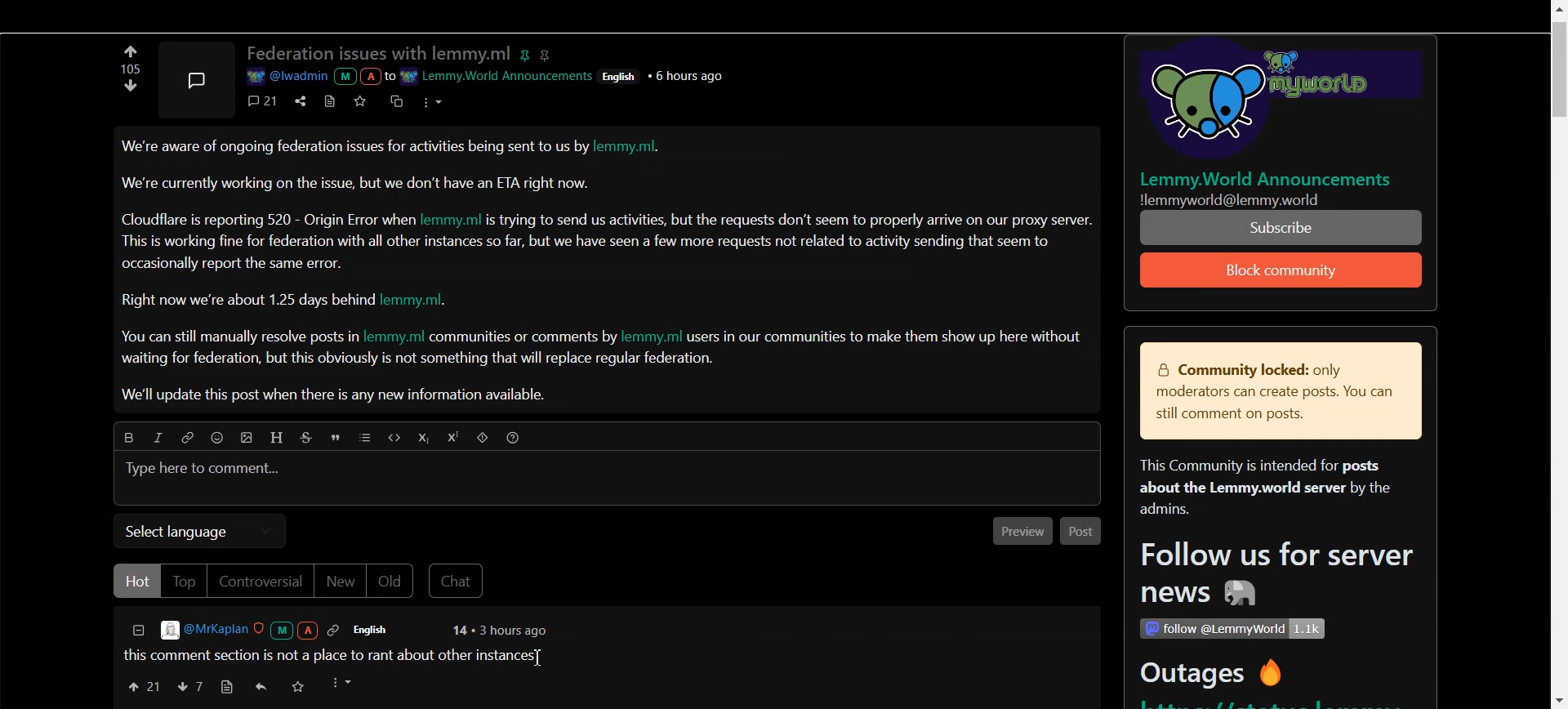  What do you see at coordinates (300, 689) in the screenshot?
I see `save` at bounding box center [300, 689].